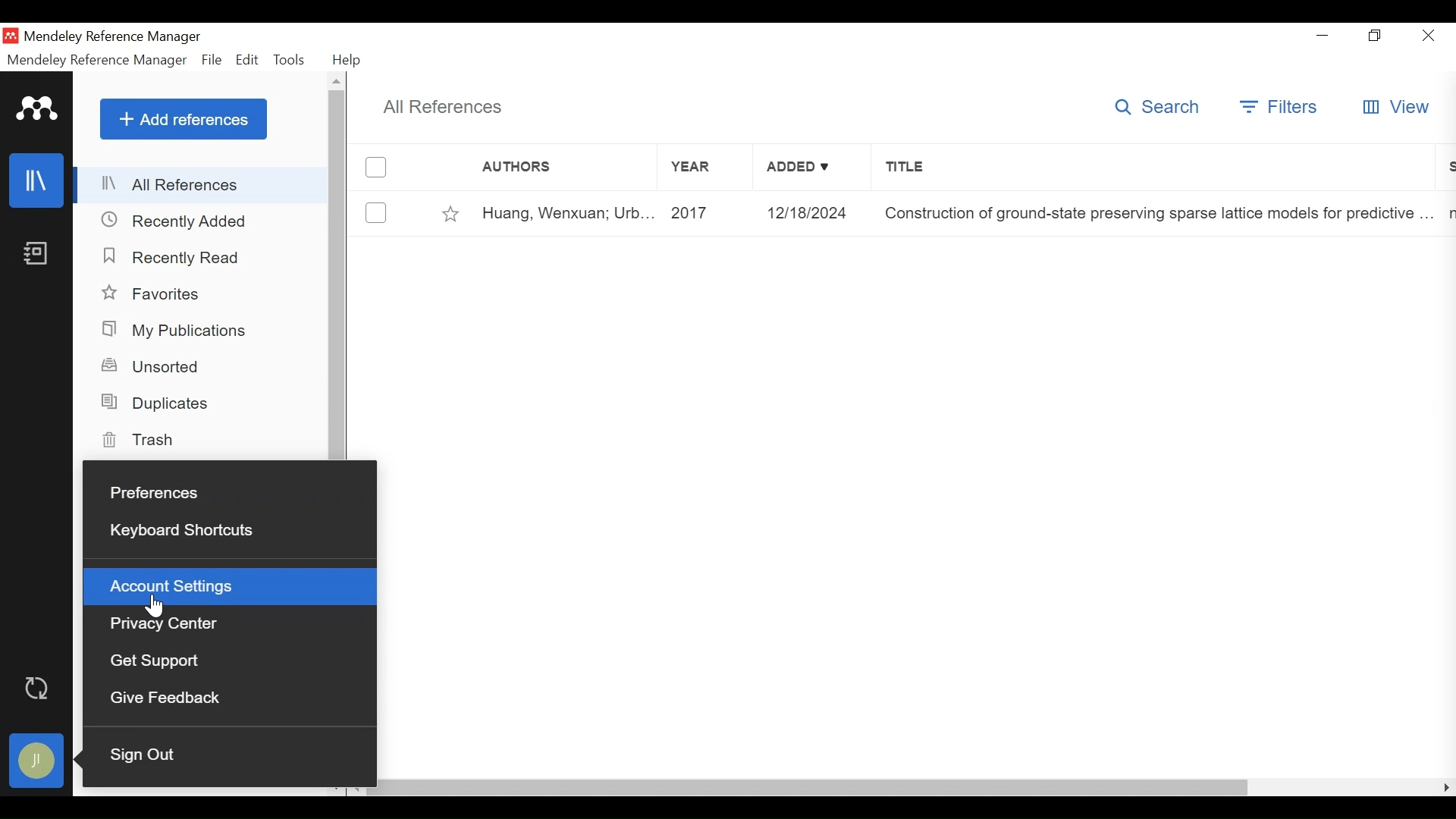 The height and width of the screenshot is (819, 1456). I want to click on Tools, so click(289, 59).